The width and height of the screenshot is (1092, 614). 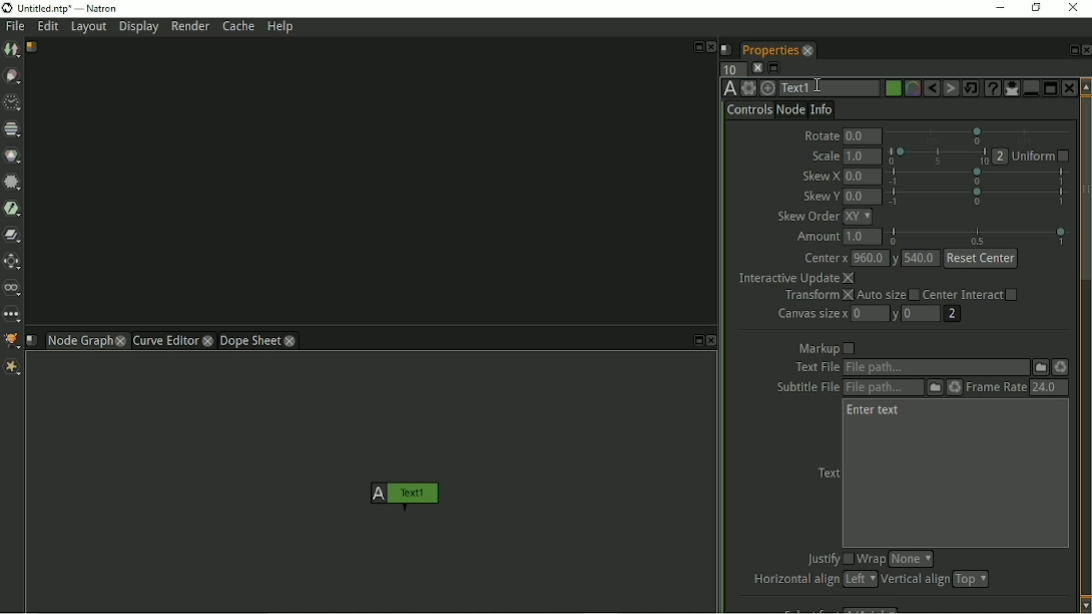 What do you see at coordinates (871, 559) in the screenshot?
I see `Wrap` at bounding box center [871, 559].